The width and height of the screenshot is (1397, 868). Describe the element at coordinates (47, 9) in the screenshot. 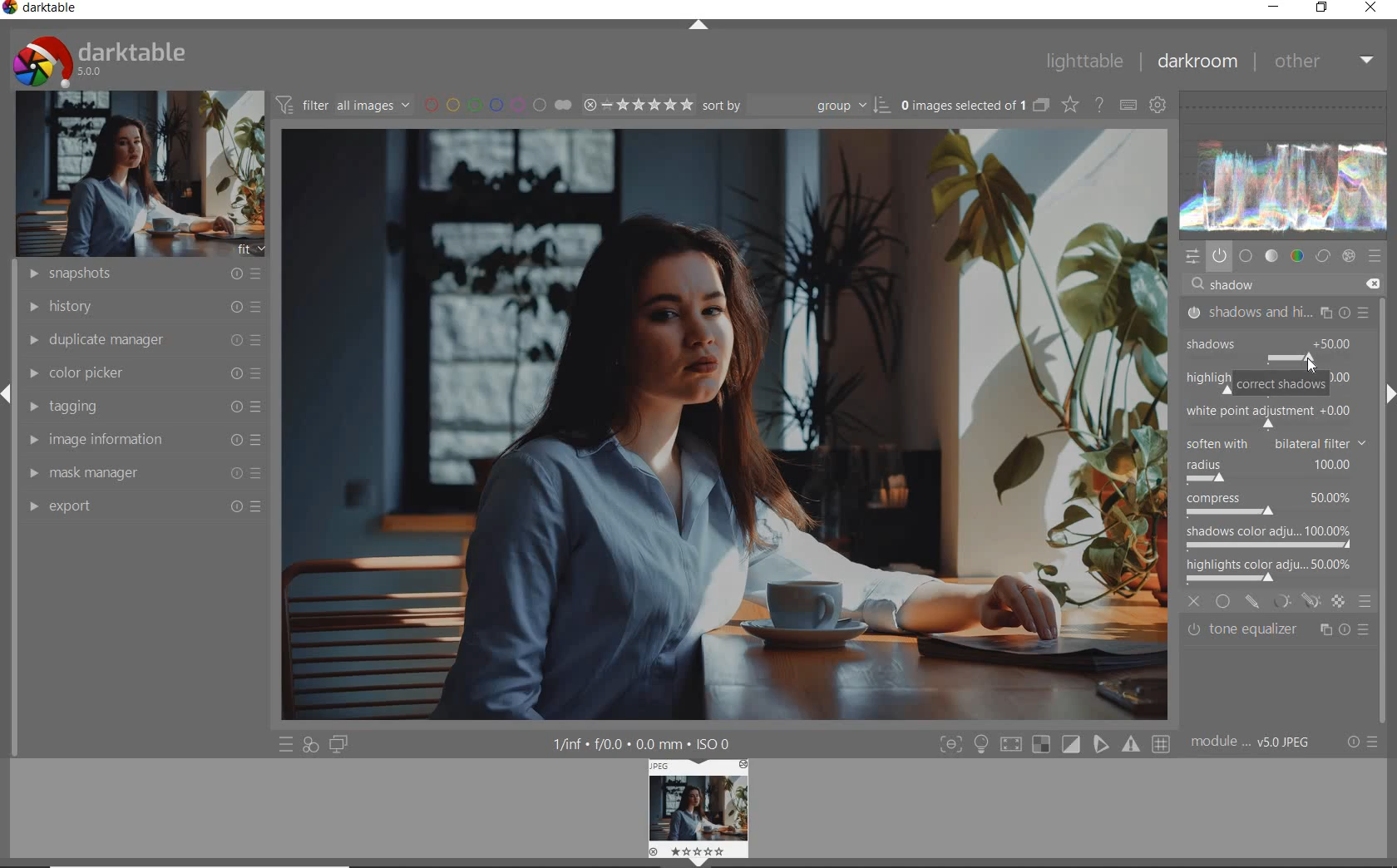

I see `darktable` at that location.